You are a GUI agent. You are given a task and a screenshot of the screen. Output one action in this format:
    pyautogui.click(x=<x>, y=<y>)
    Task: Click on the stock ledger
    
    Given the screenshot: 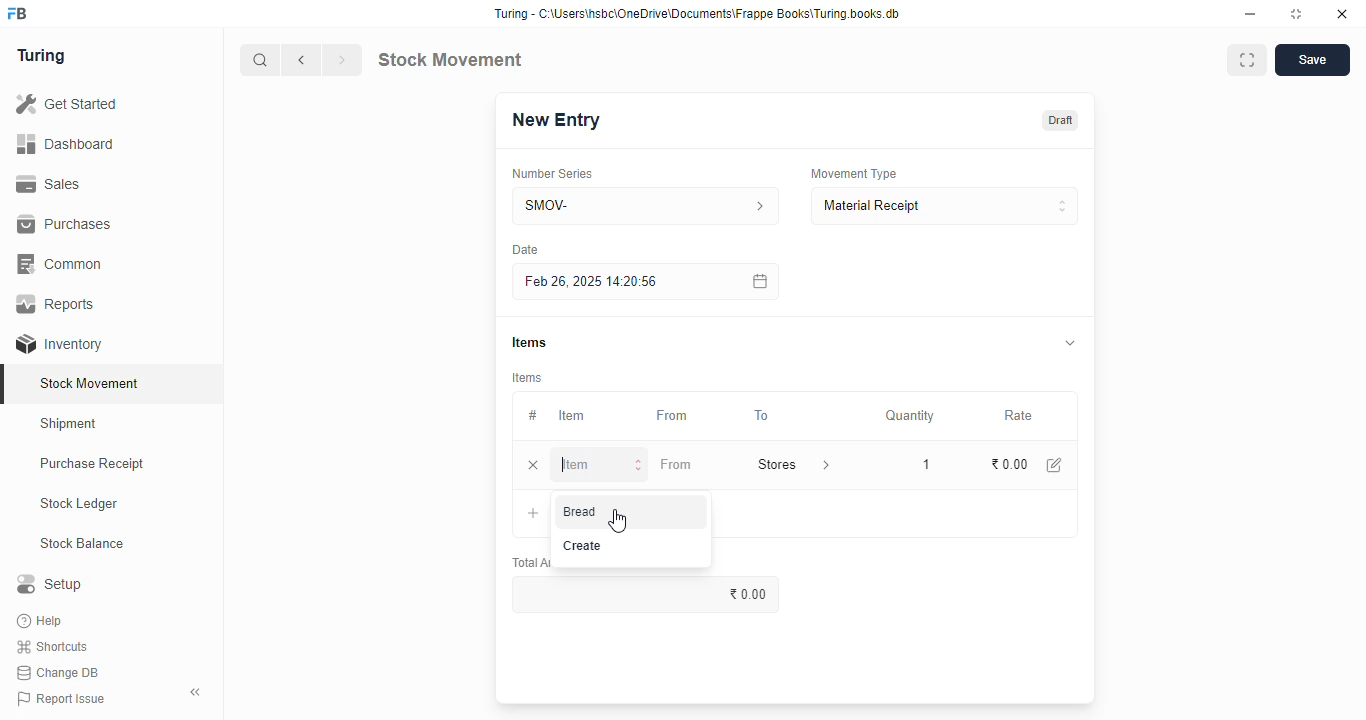 What is the action you would take?
    pyautogui.click(x=80, y=504)
    